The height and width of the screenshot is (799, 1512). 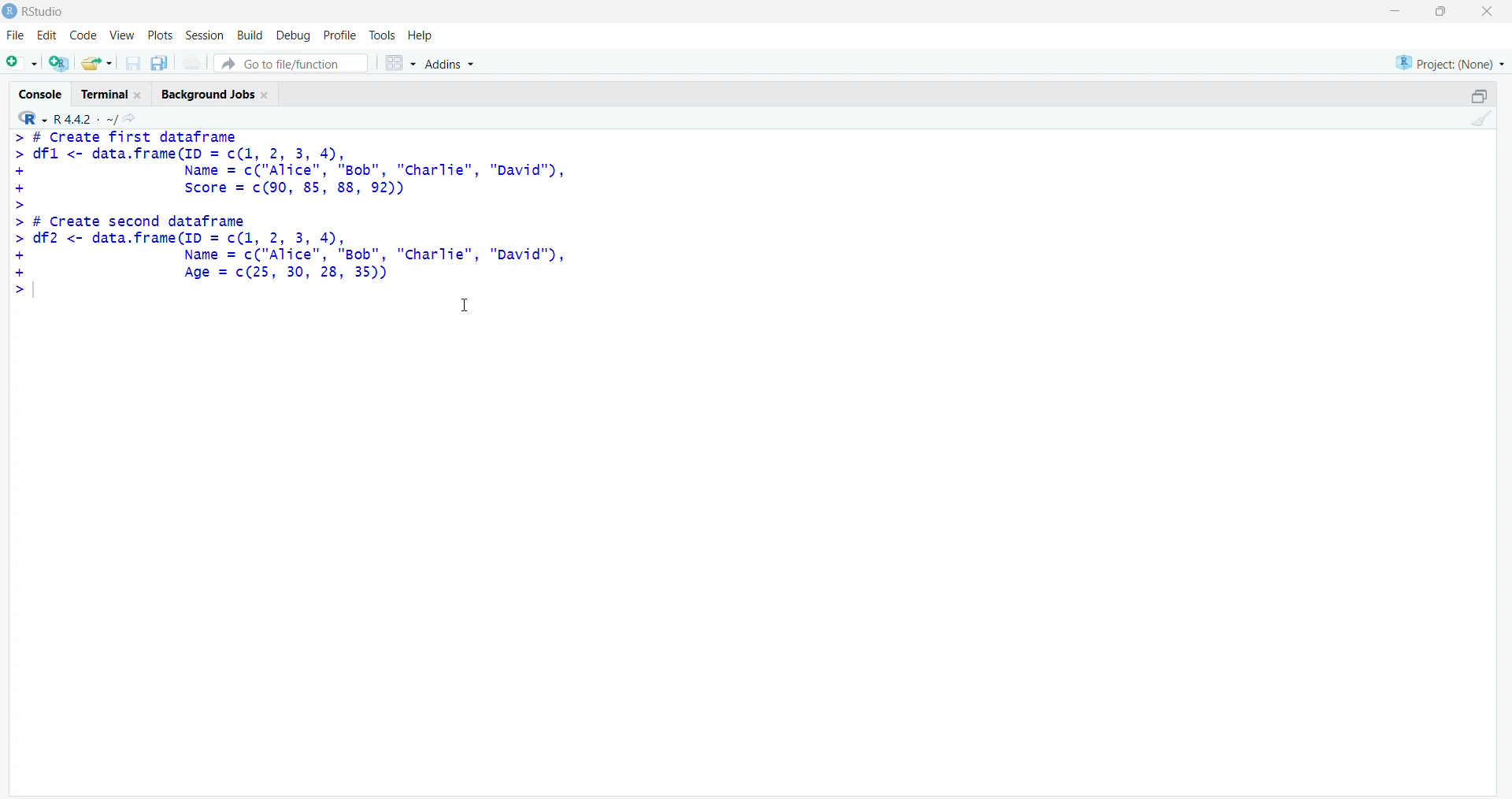 I want to click on Addins , so click(x=448, y=63).